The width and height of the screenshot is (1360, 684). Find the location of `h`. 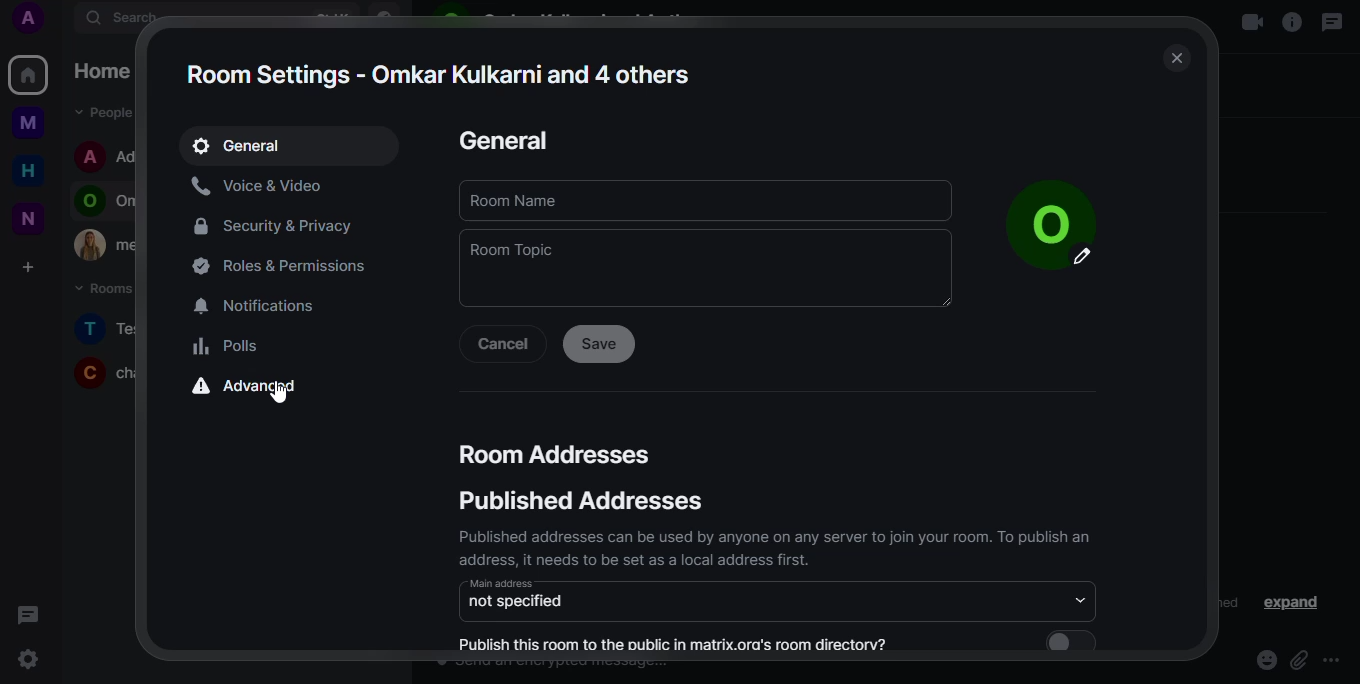

h is located at coordinates (35, 172).